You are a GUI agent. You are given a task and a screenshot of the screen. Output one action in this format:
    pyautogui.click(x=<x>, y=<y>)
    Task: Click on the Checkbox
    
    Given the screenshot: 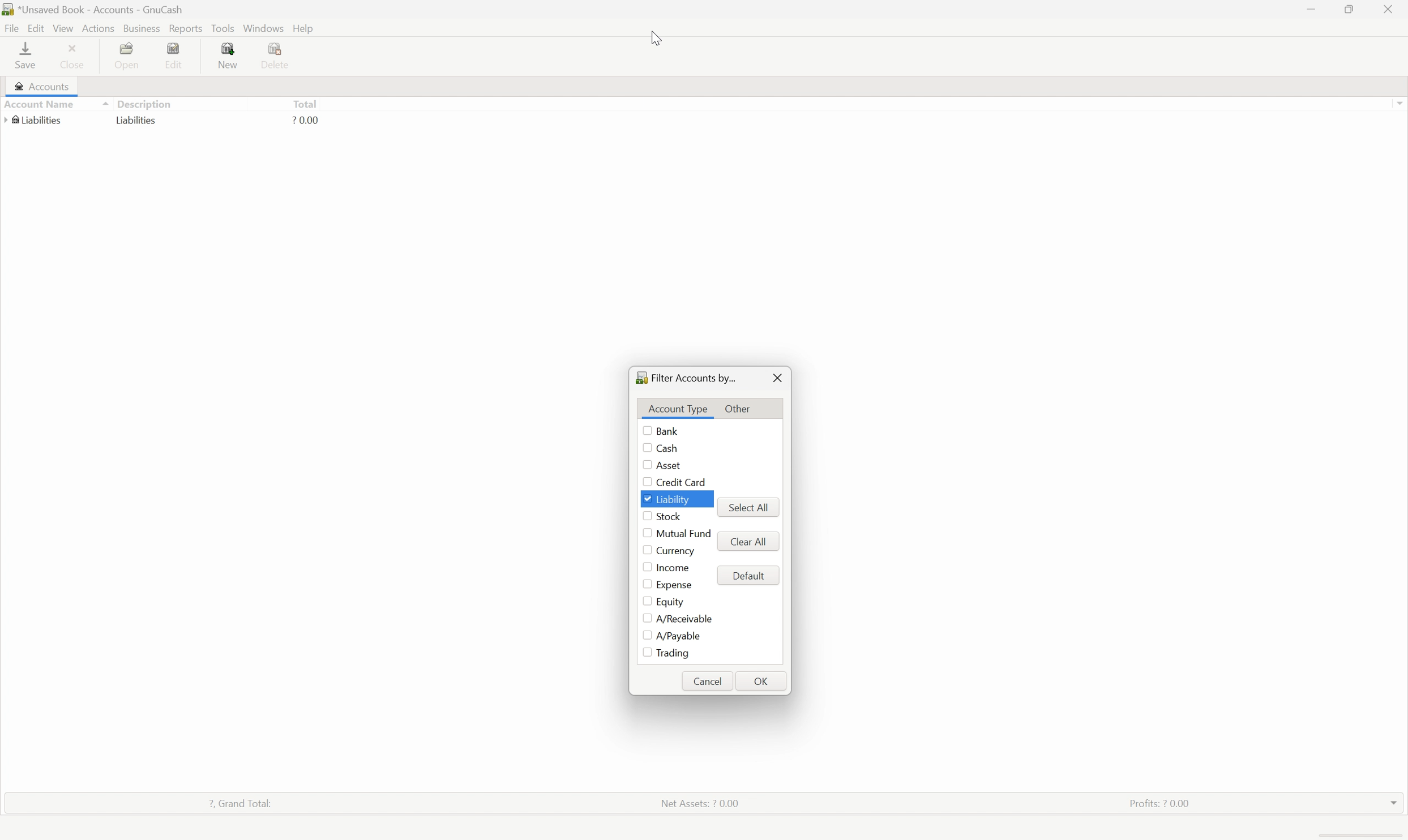 What is the action you would take?
    pyautogui.click(x=645, y=532)
    